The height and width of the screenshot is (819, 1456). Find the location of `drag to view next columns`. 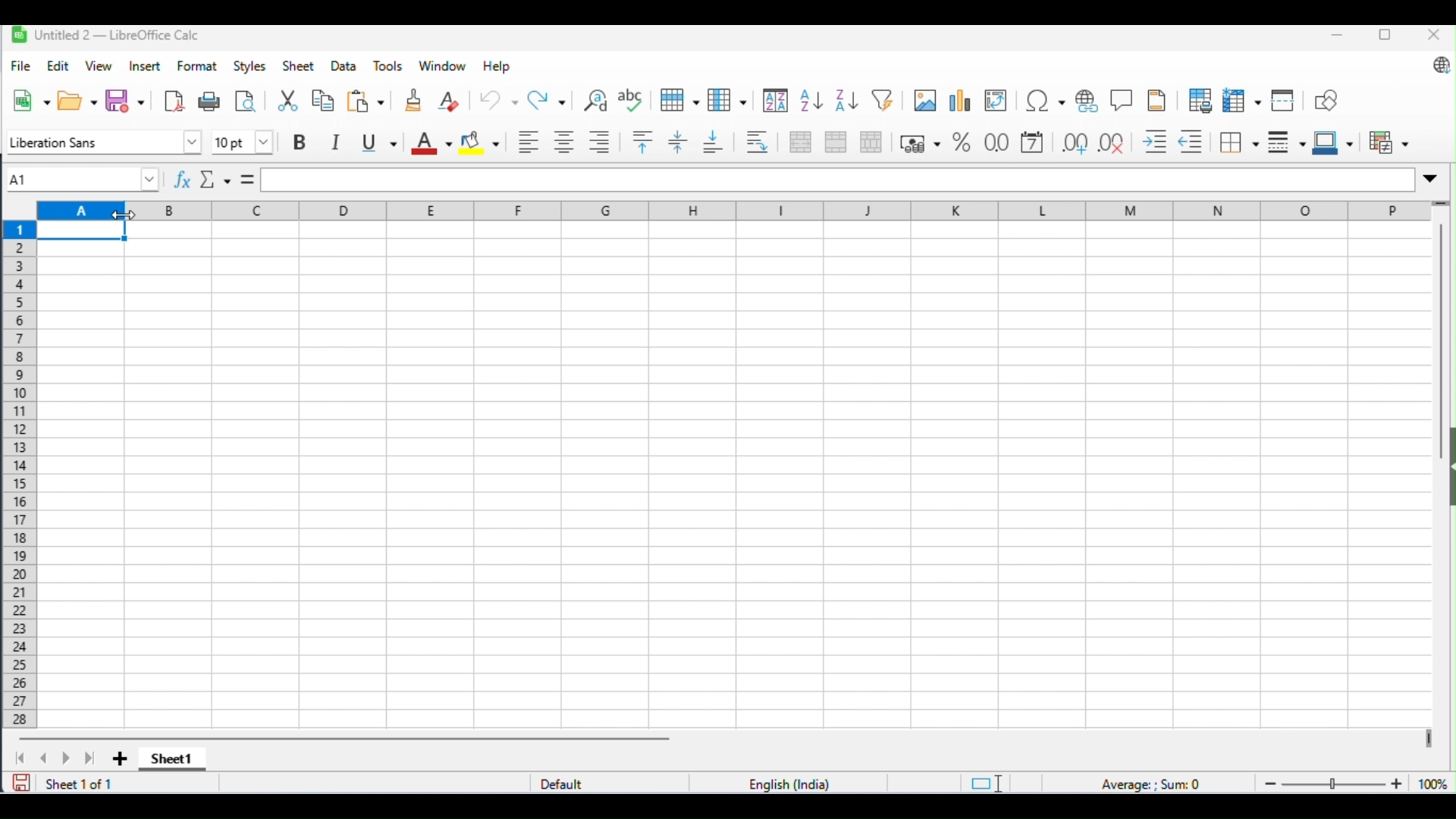

drag to view next columns is located at coordinates (1428, 736).